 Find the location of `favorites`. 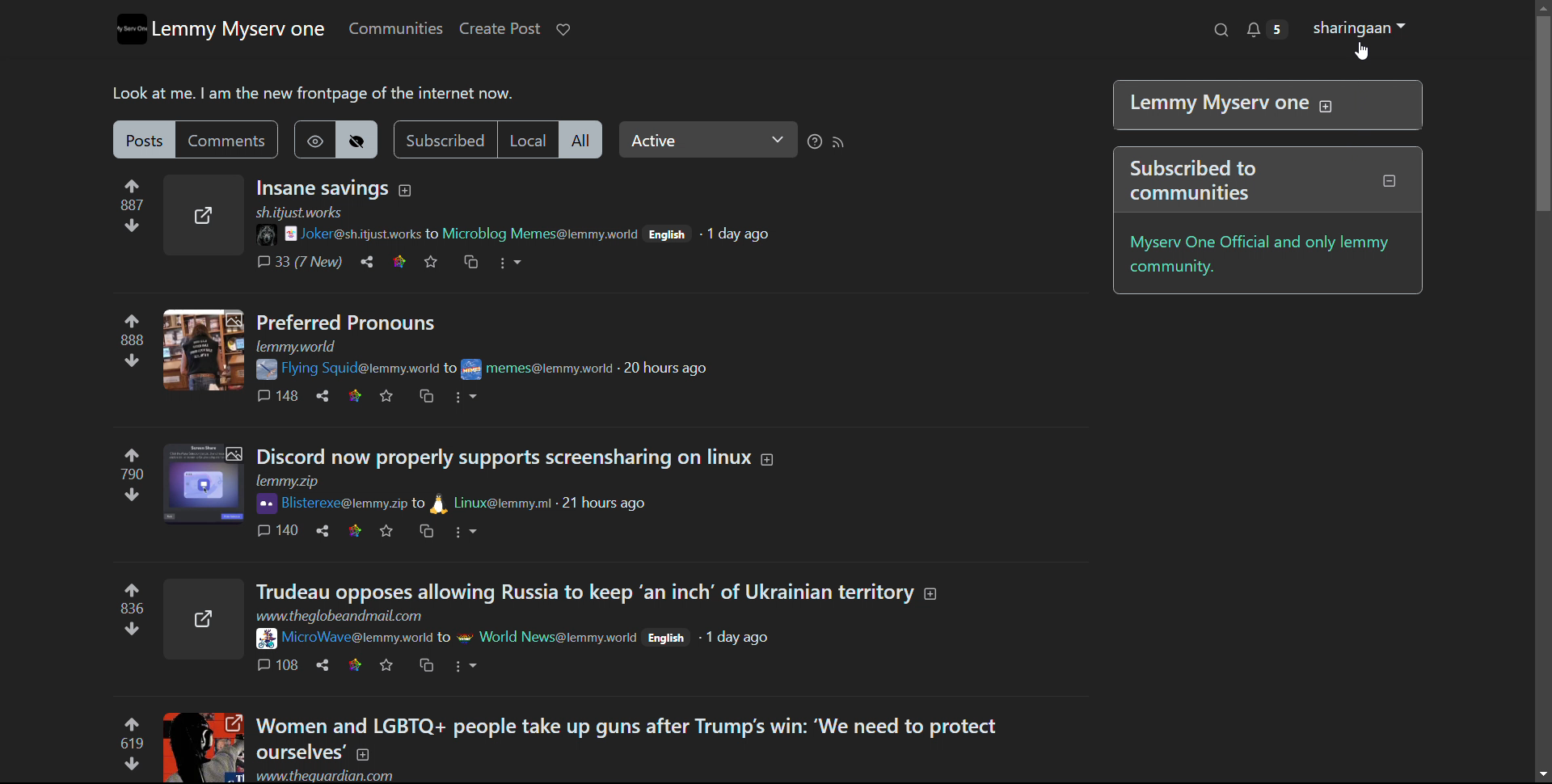

favorites is located at coordinates (431, 262).